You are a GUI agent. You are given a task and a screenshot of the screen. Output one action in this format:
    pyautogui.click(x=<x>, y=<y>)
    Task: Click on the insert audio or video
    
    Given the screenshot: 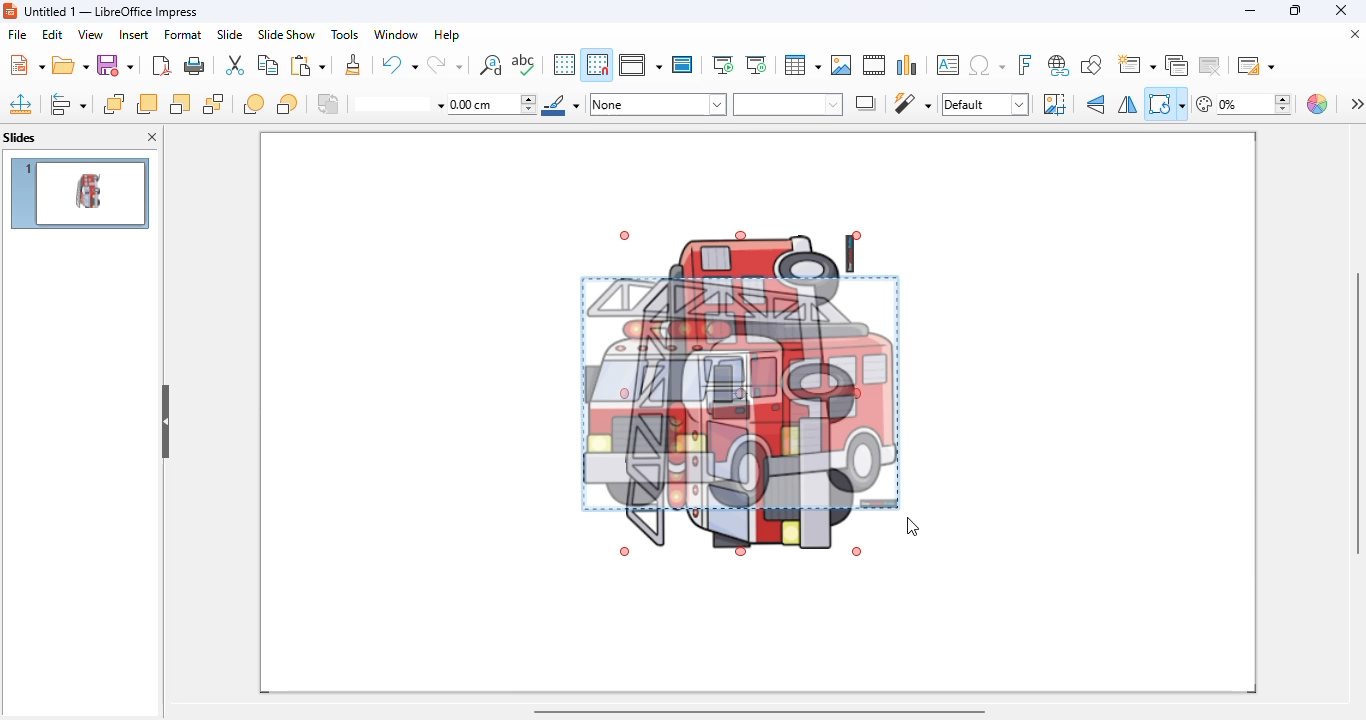 What is the action you would take?
    pyautogui.click(x=874, y=65)
    